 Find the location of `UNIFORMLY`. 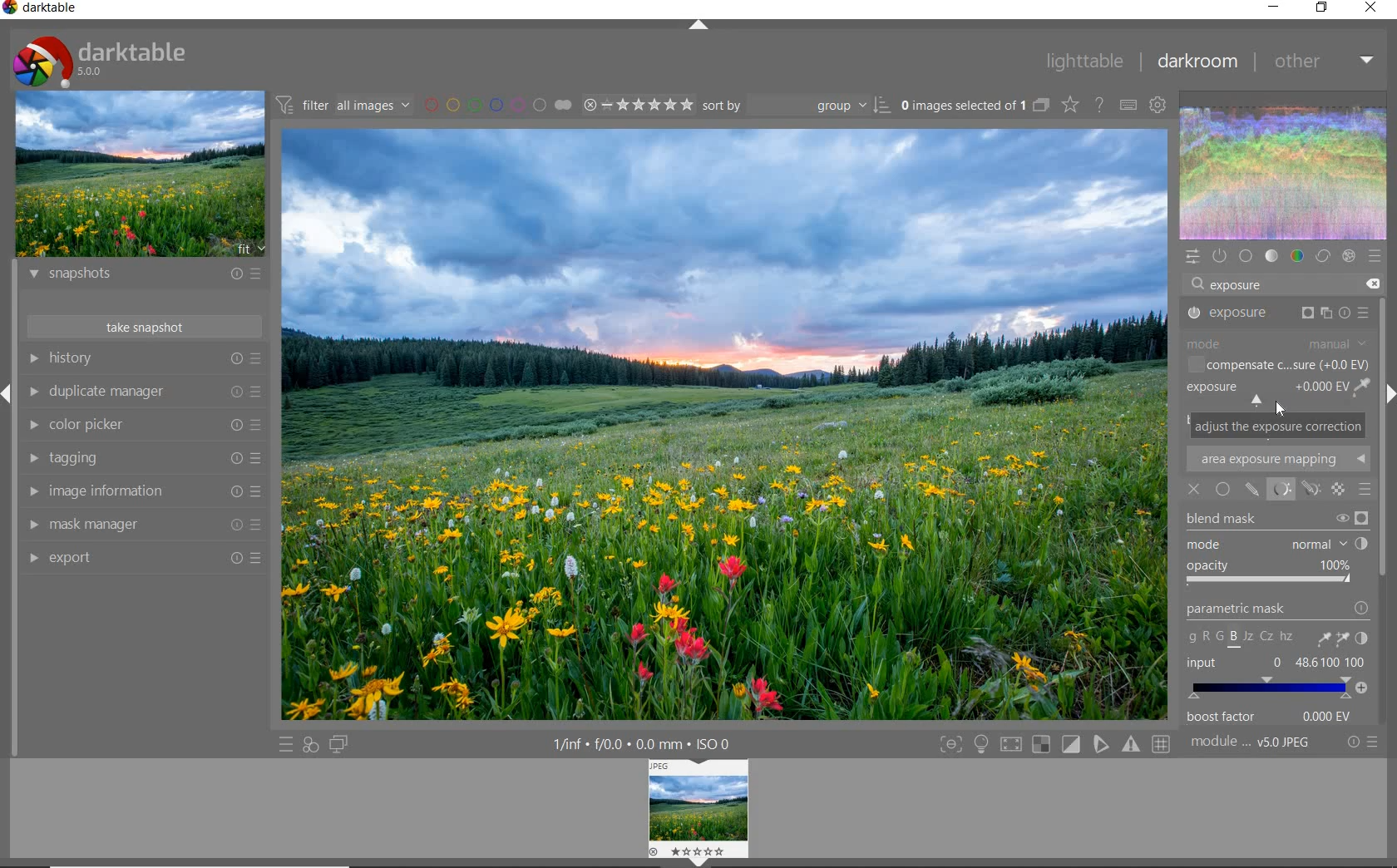

UNIFORMLY is located at coordinates (1223, 487).